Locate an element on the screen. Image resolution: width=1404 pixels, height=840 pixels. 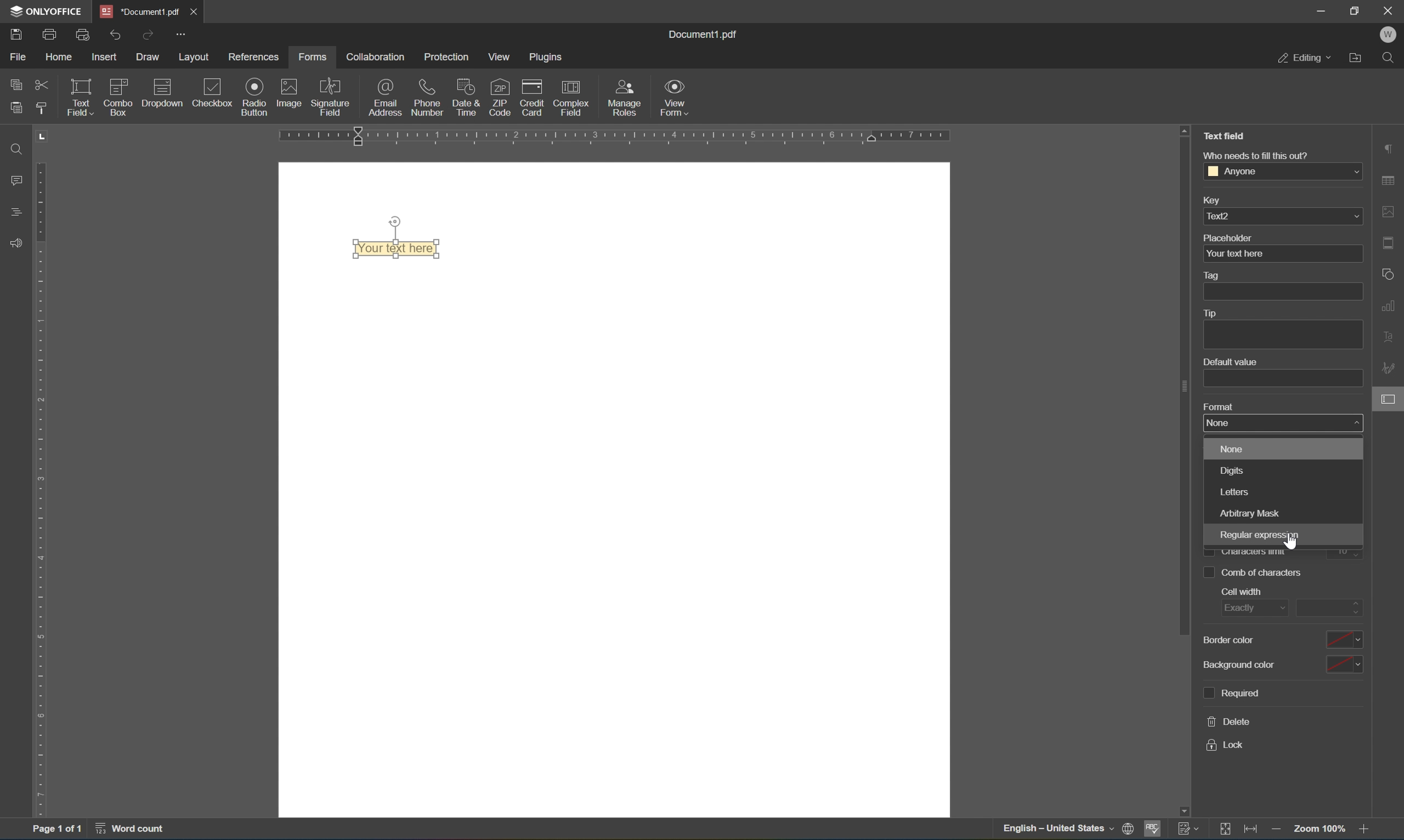
background color is located at coordinates (1244, 667).